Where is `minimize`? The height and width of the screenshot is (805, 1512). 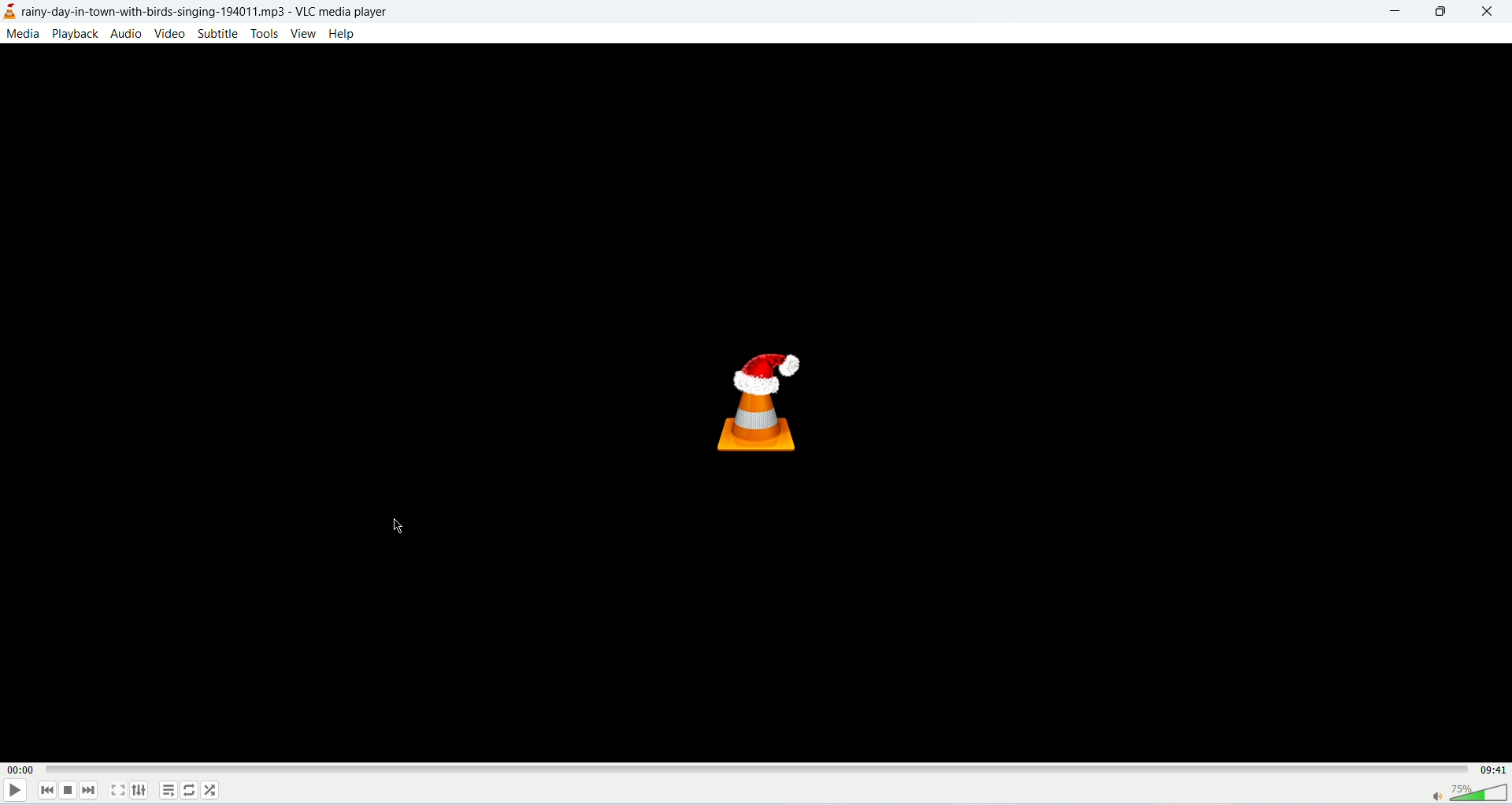
minimize is located at coordinates (1395, 9).